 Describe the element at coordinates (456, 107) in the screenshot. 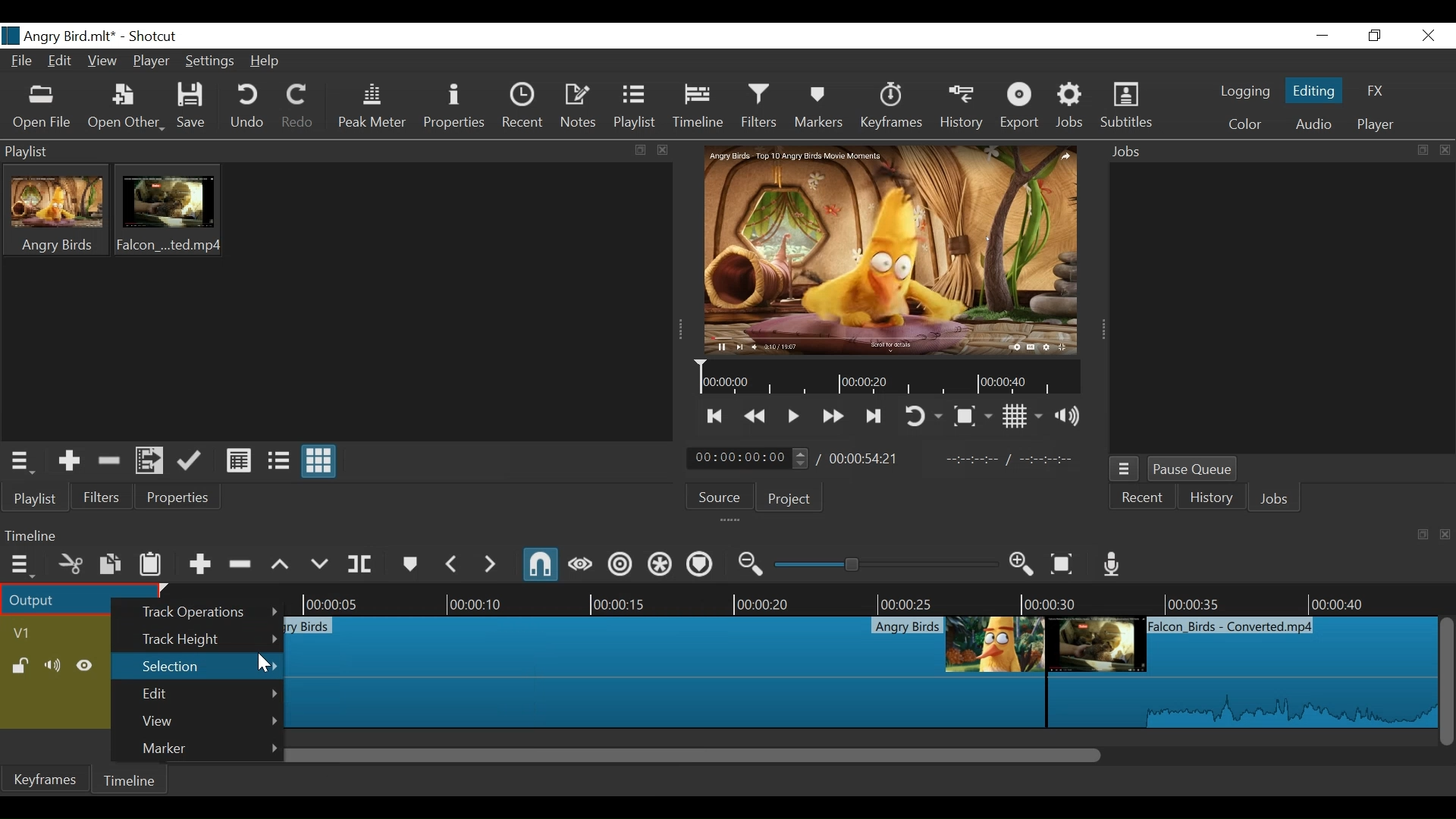

I see `Properties` at that location.